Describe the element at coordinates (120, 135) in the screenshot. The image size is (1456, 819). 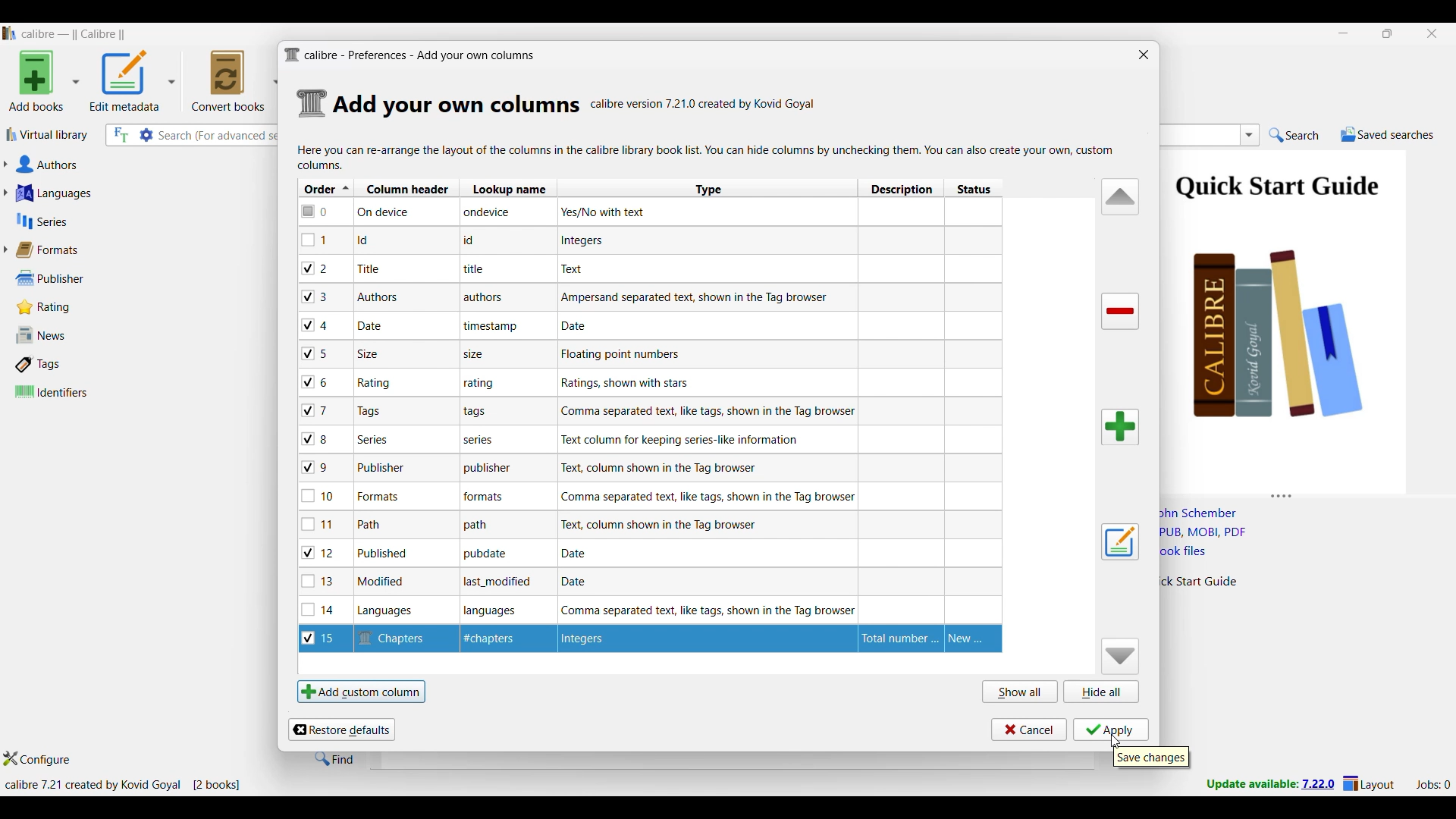
I see `Search the full text of all books` at that location.